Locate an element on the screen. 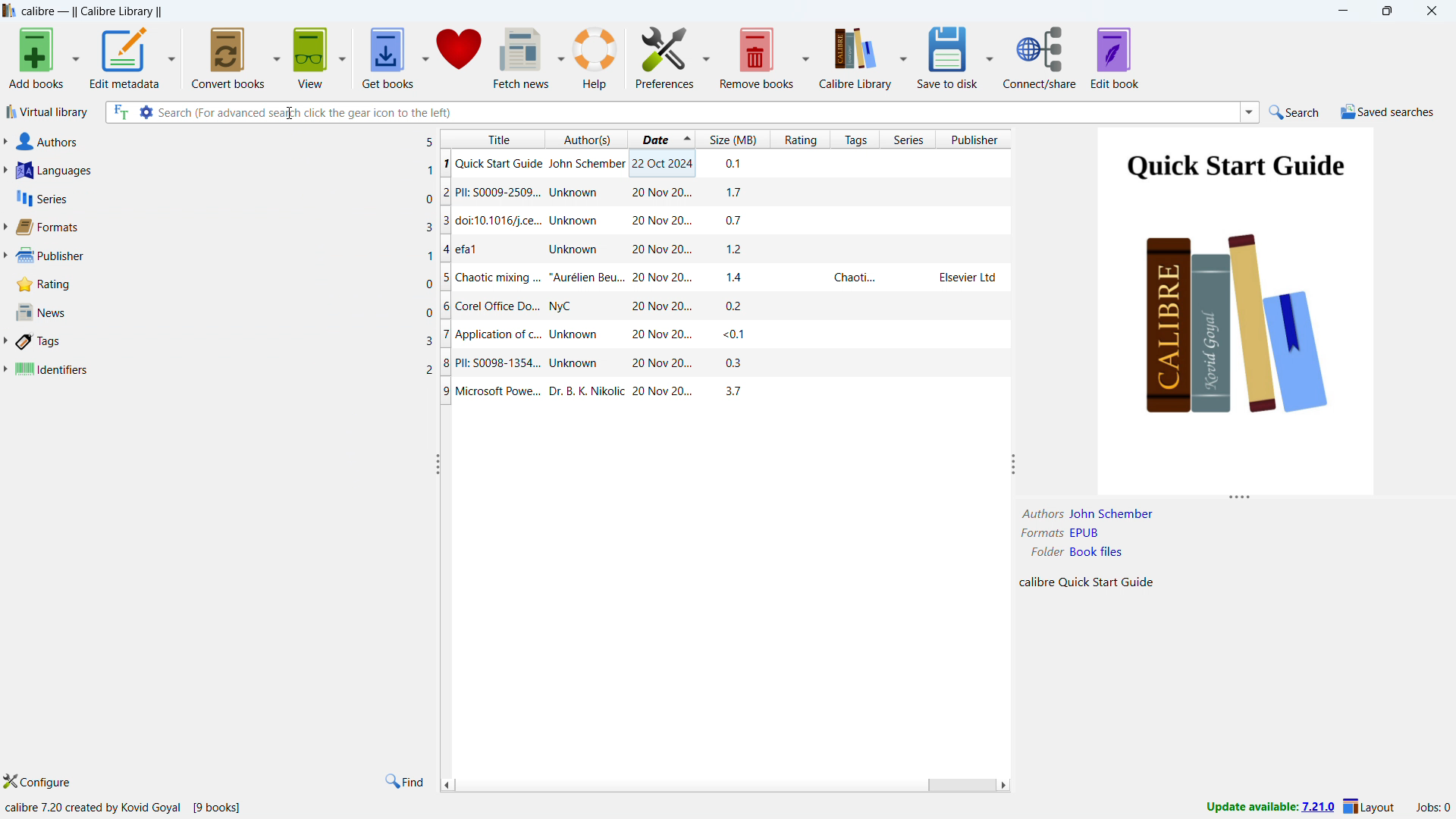 Image resolution: width=1456 pixels, height=819 pixels. fetch news is located at coordinates (522, 57).